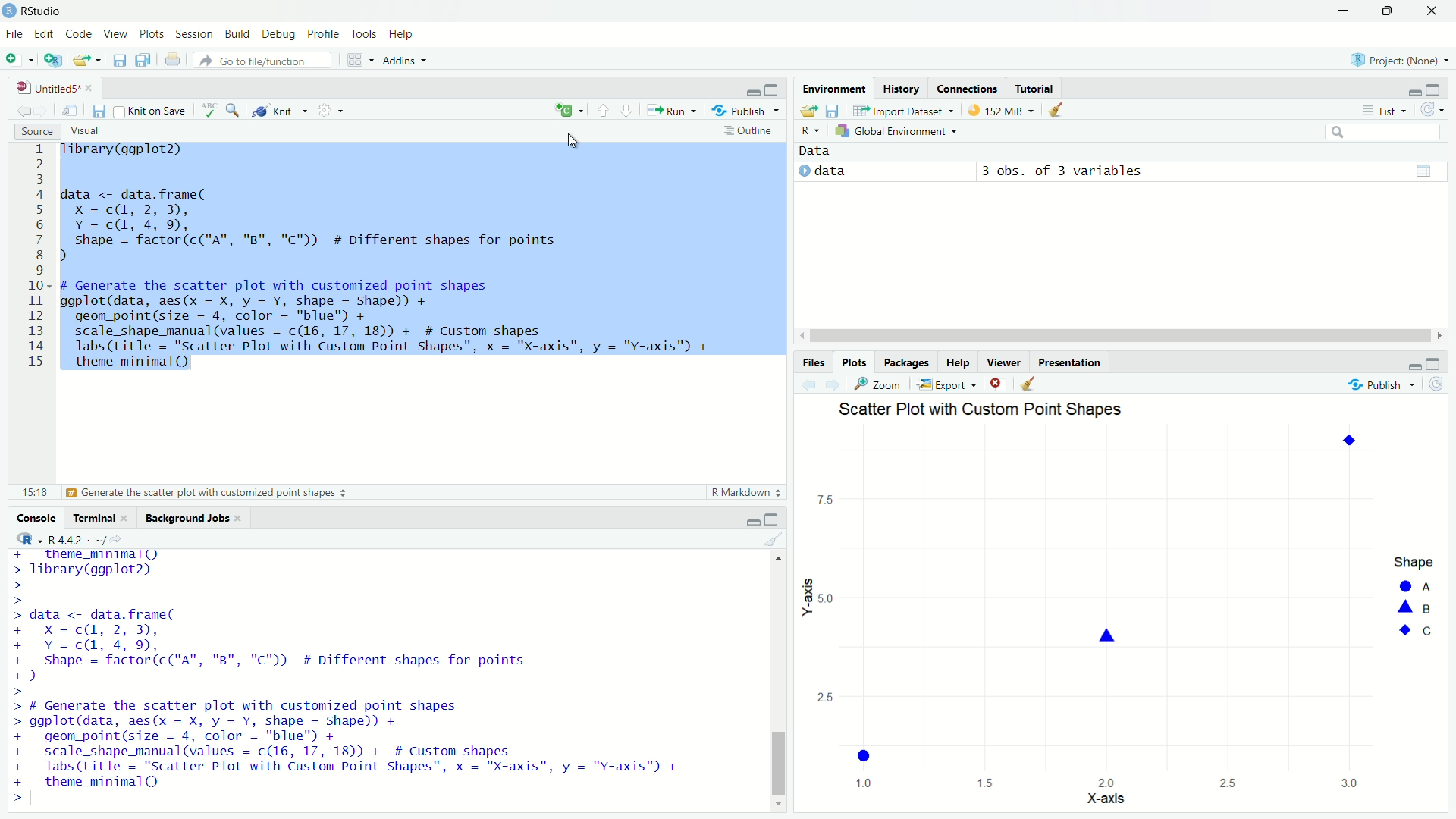  Describe the element at coordinates (1002, 110) in the screenshot. I see `9 MiB` at that location.